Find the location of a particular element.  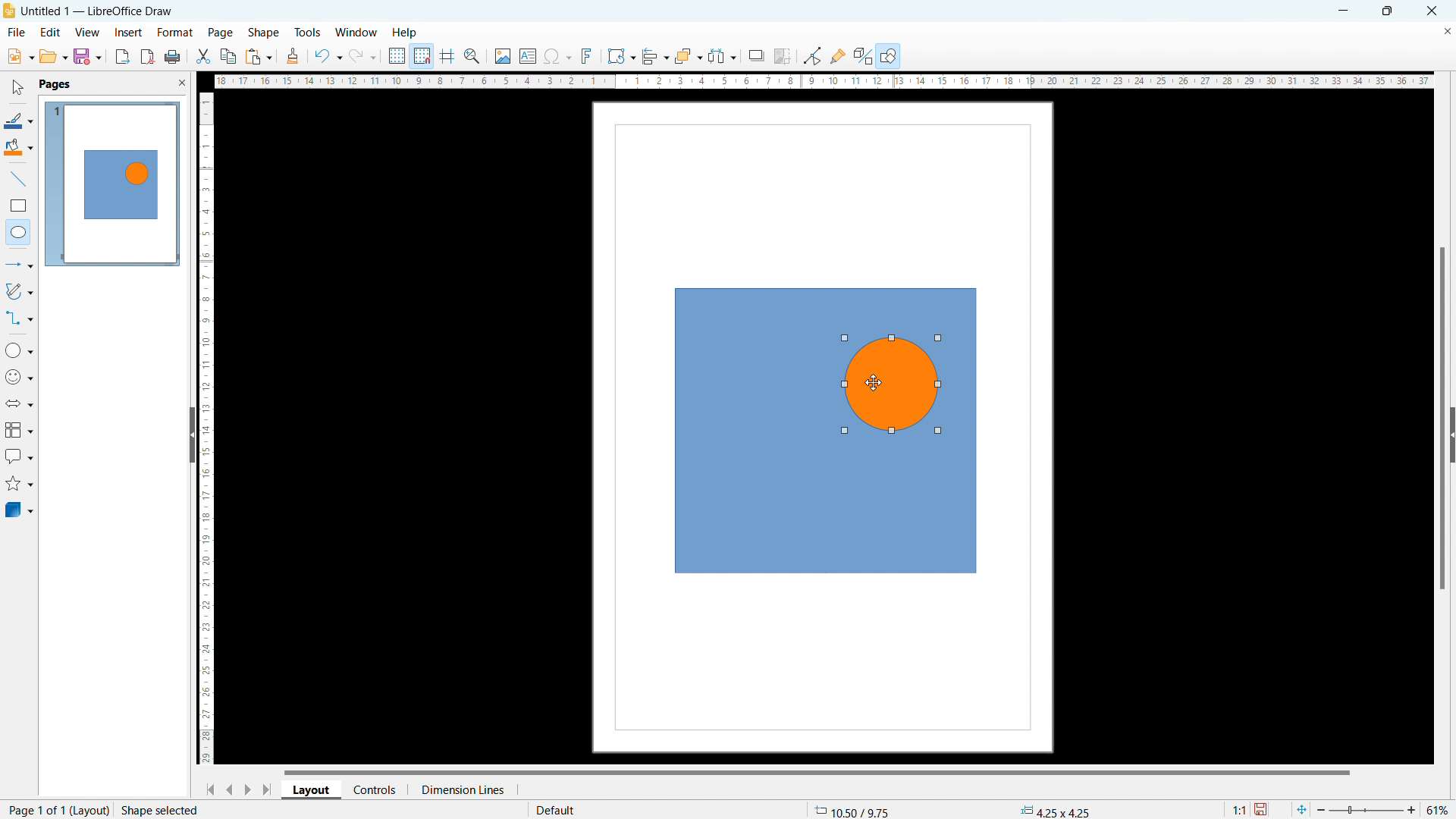

current zoom level is located at coordinates (1439, 810).